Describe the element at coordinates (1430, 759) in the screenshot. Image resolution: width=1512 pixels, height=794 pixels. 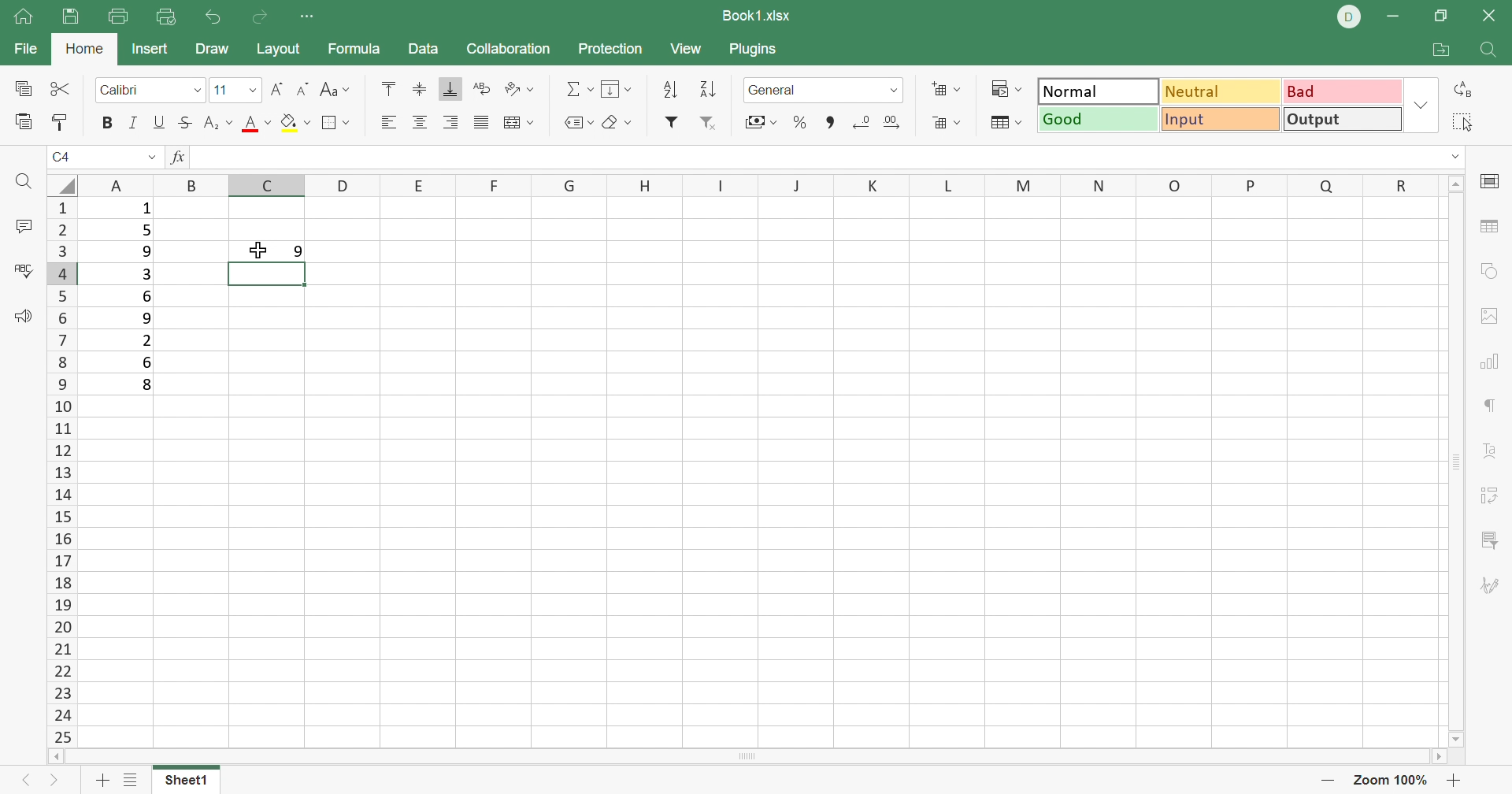
I see `Scroll Right` at that location.